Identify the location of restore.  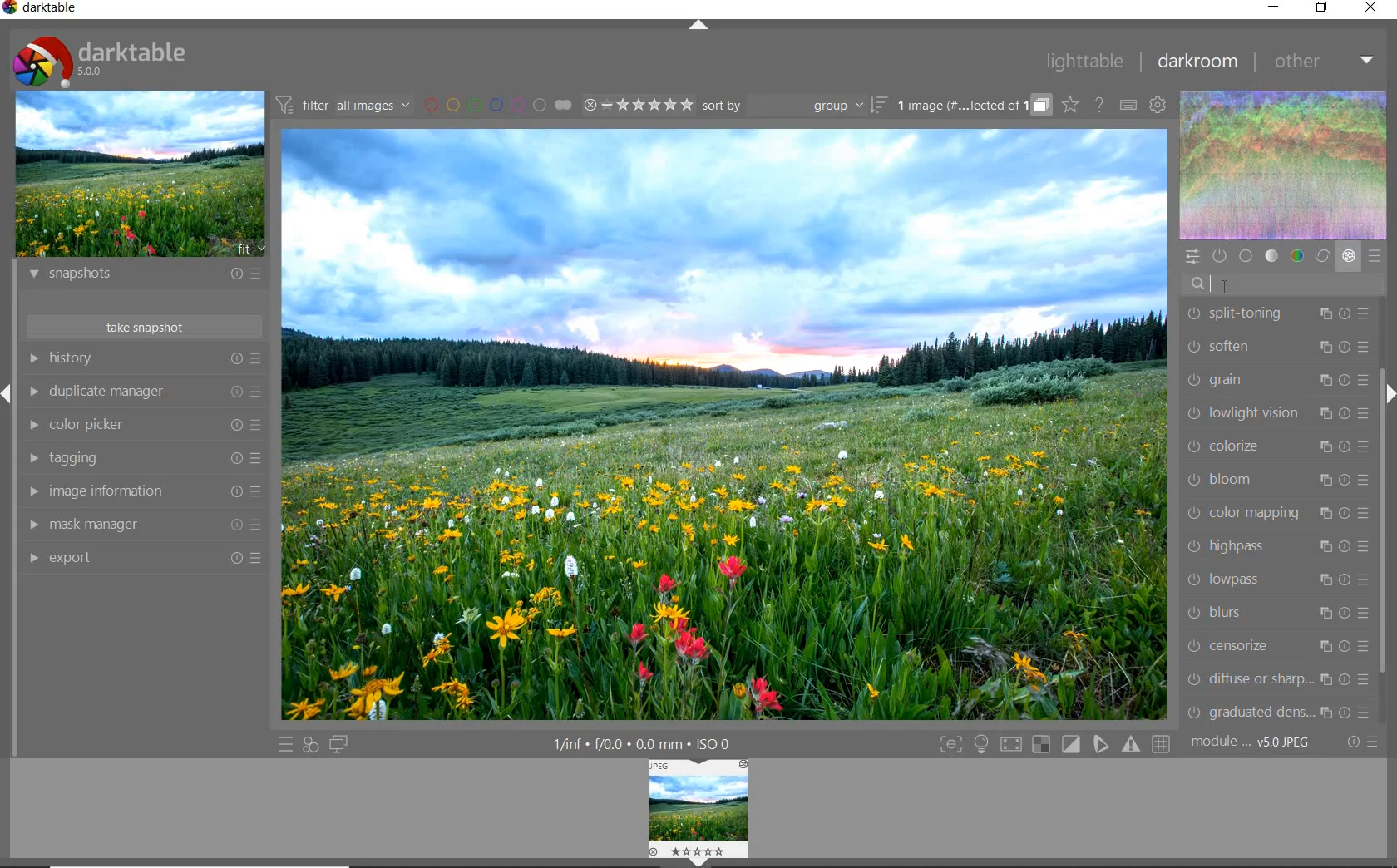
(1324, 8).